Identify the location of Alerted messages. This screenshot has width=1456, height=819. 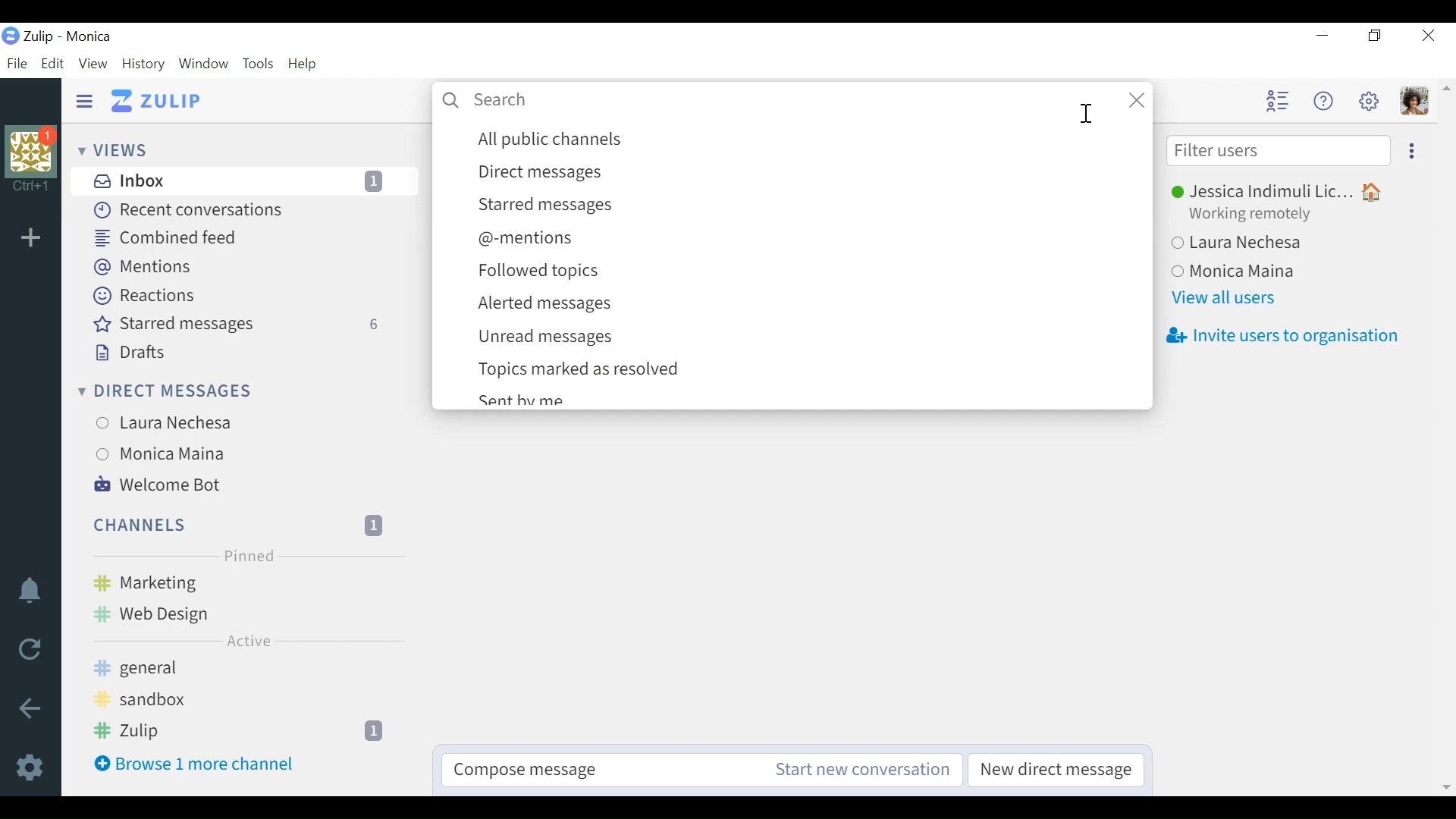
(802, 305).